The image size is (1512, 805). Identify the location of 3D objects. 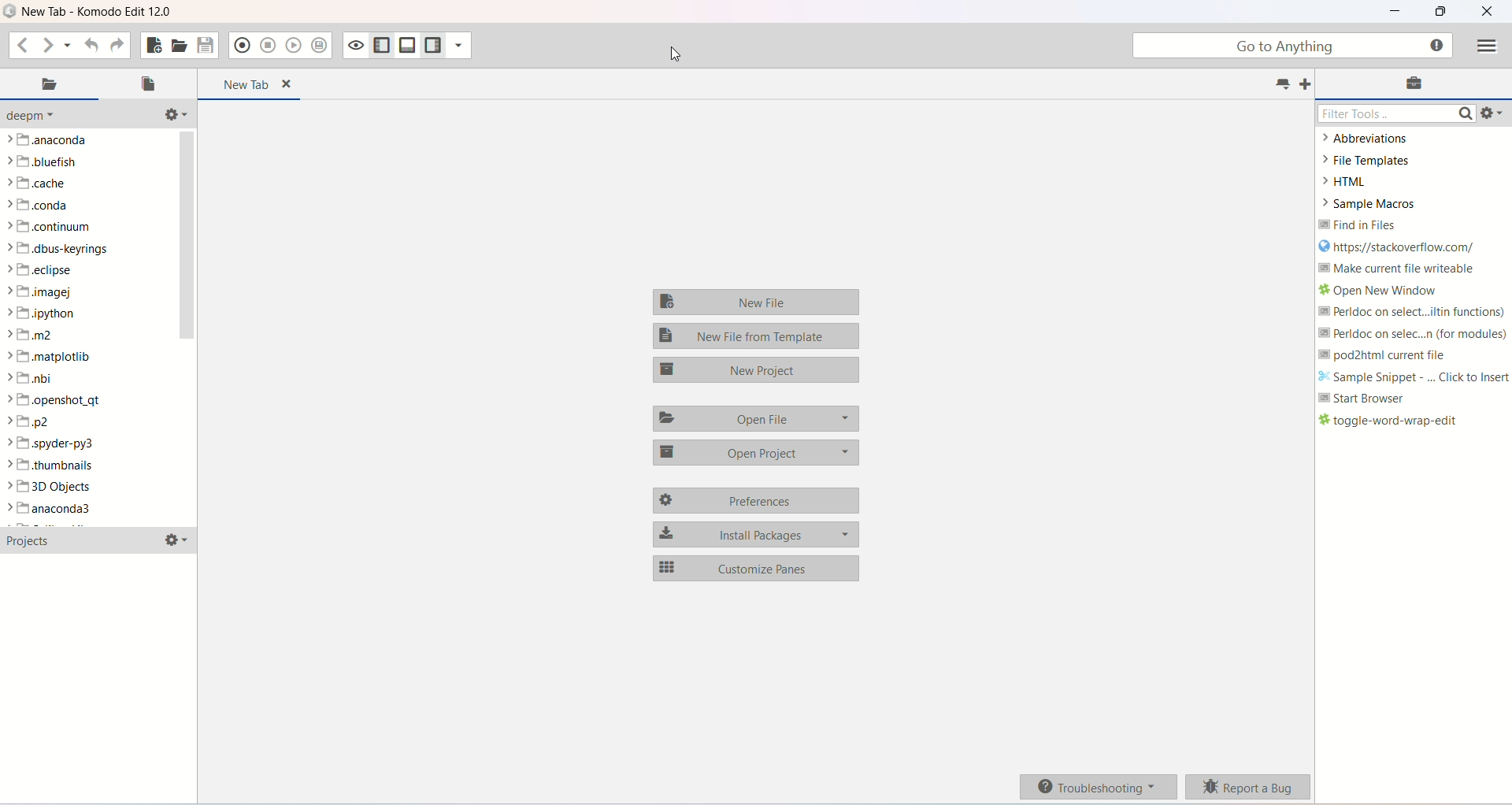
(54, 487).